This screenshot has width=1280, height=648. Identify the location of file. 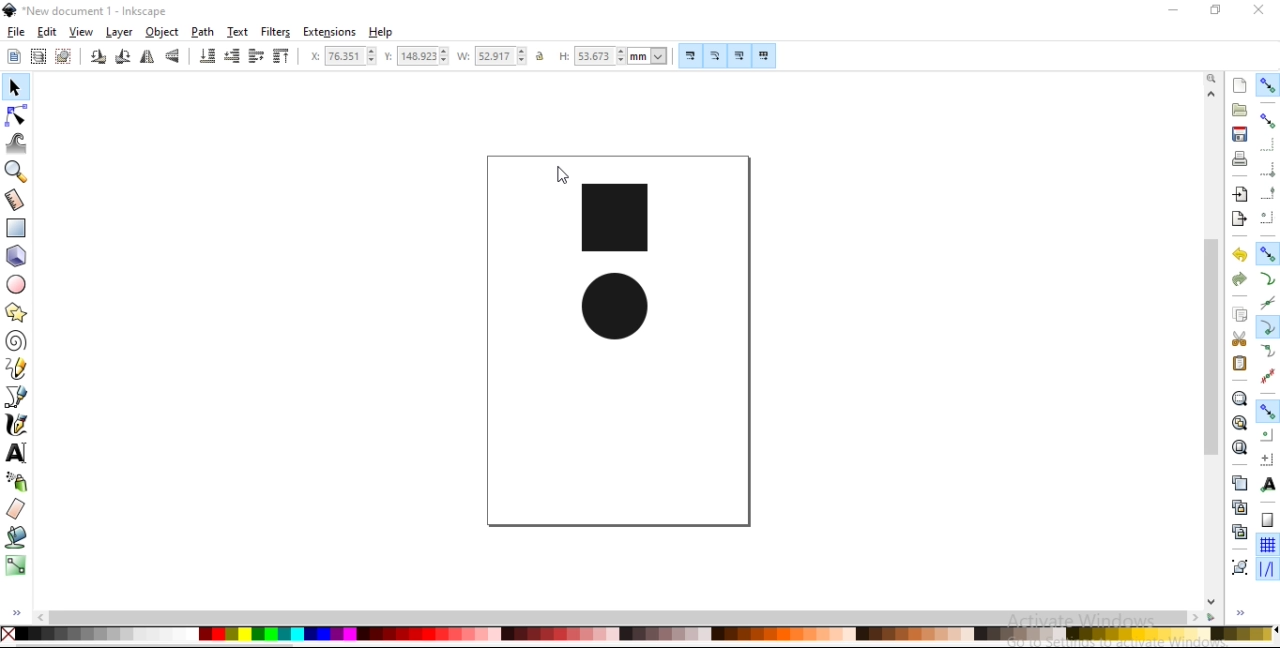
(17, 32).